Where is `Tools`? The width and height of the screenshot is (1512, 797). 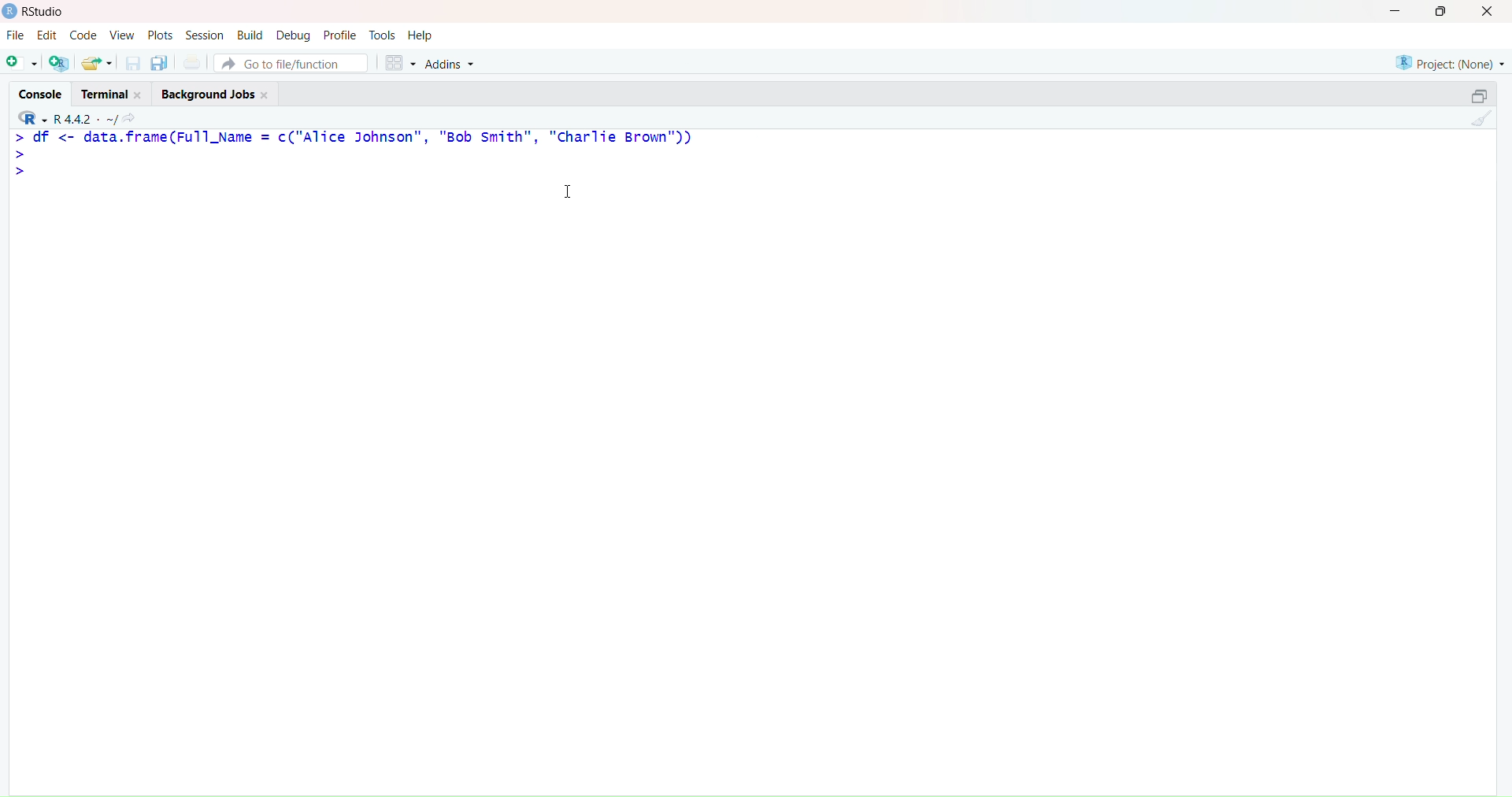 Tools is located at coordinates (383, 34).